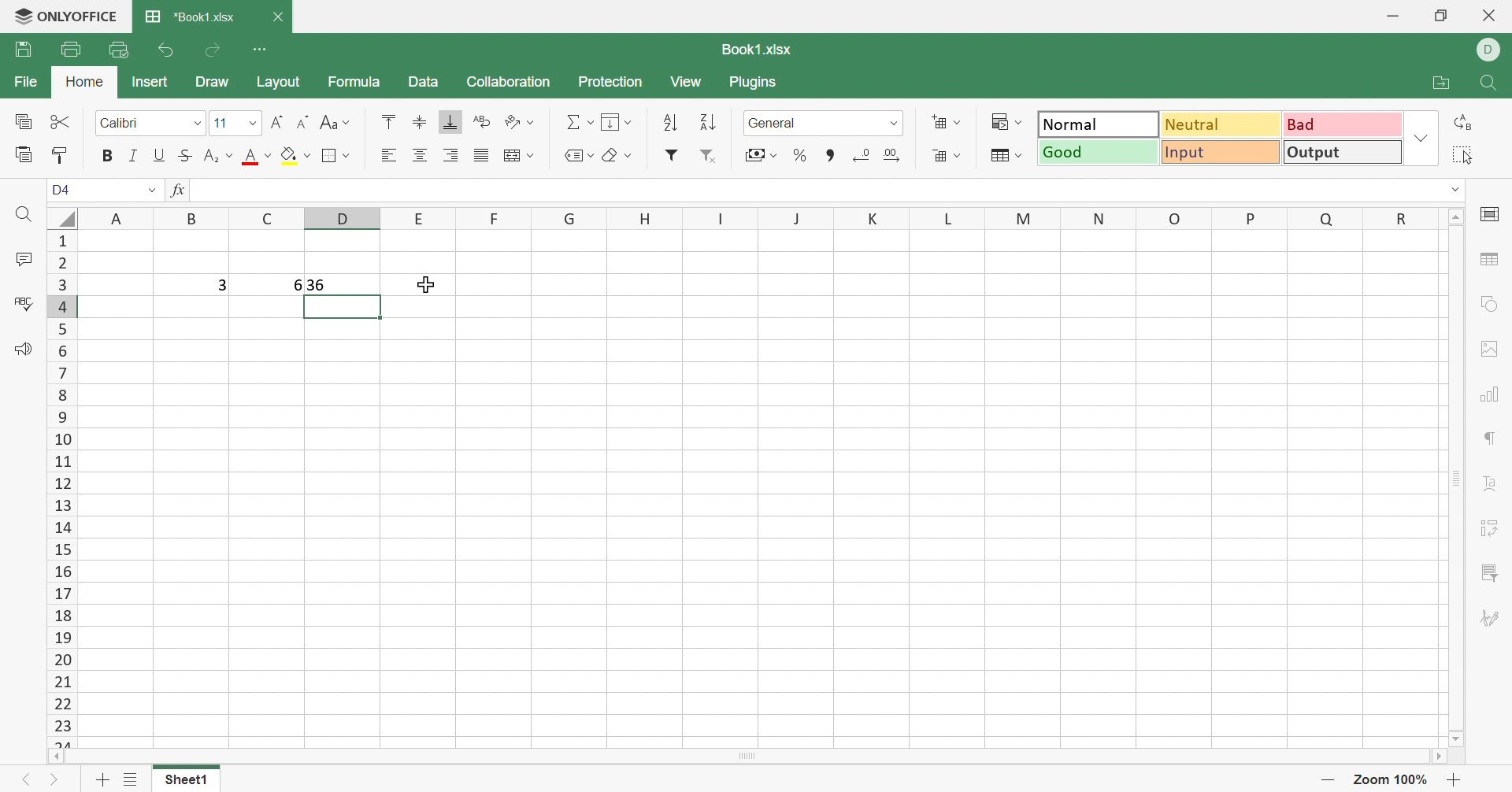 The width and height of the screenshot is (1512, 792). What do you see at coordinates (1099, 151) in the screenshot?
I see `Good` at bounding box center [1099, 151].